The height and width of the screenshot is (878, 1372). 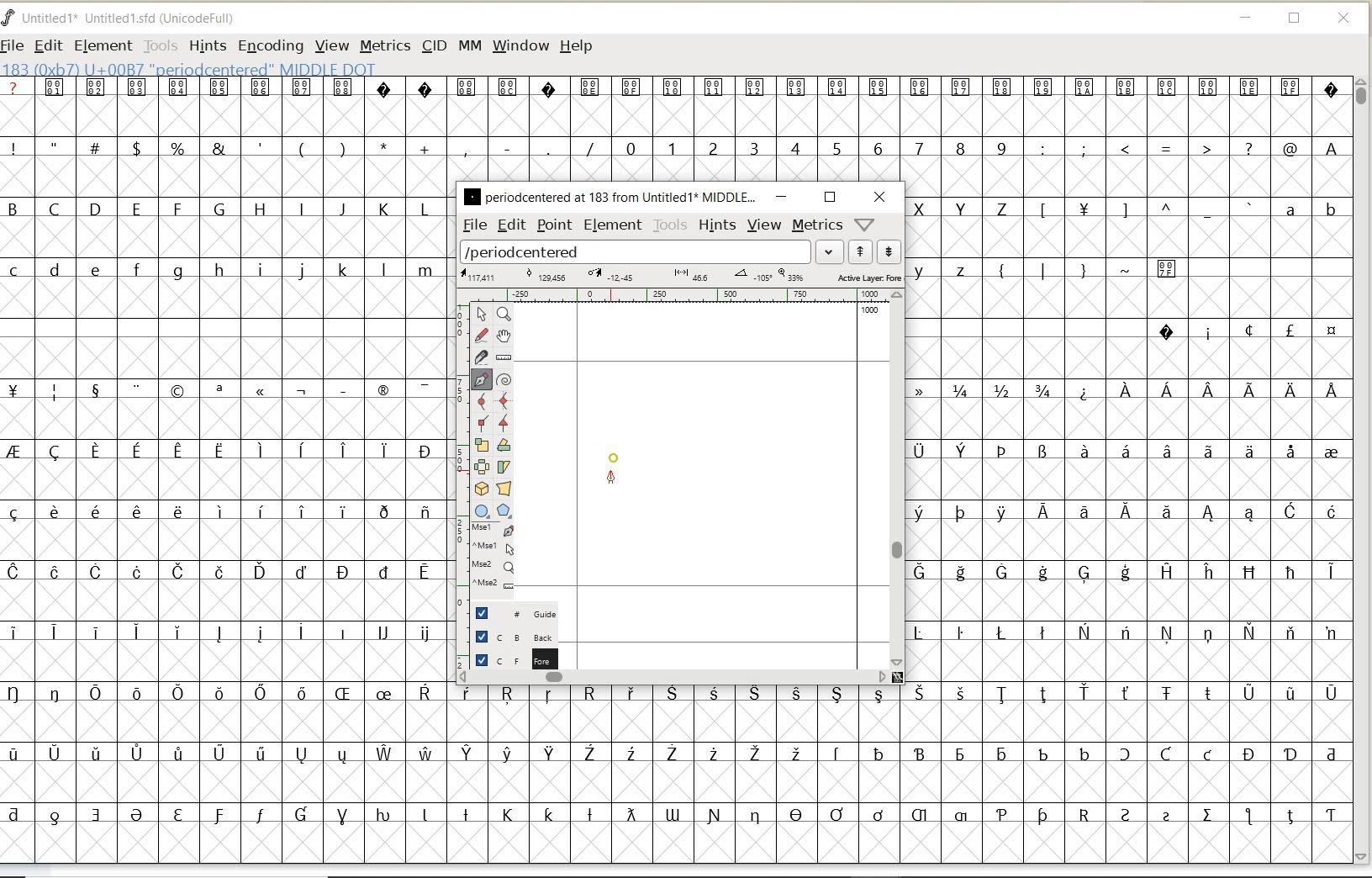 I want to click on MM, so click(x=470, y=46).